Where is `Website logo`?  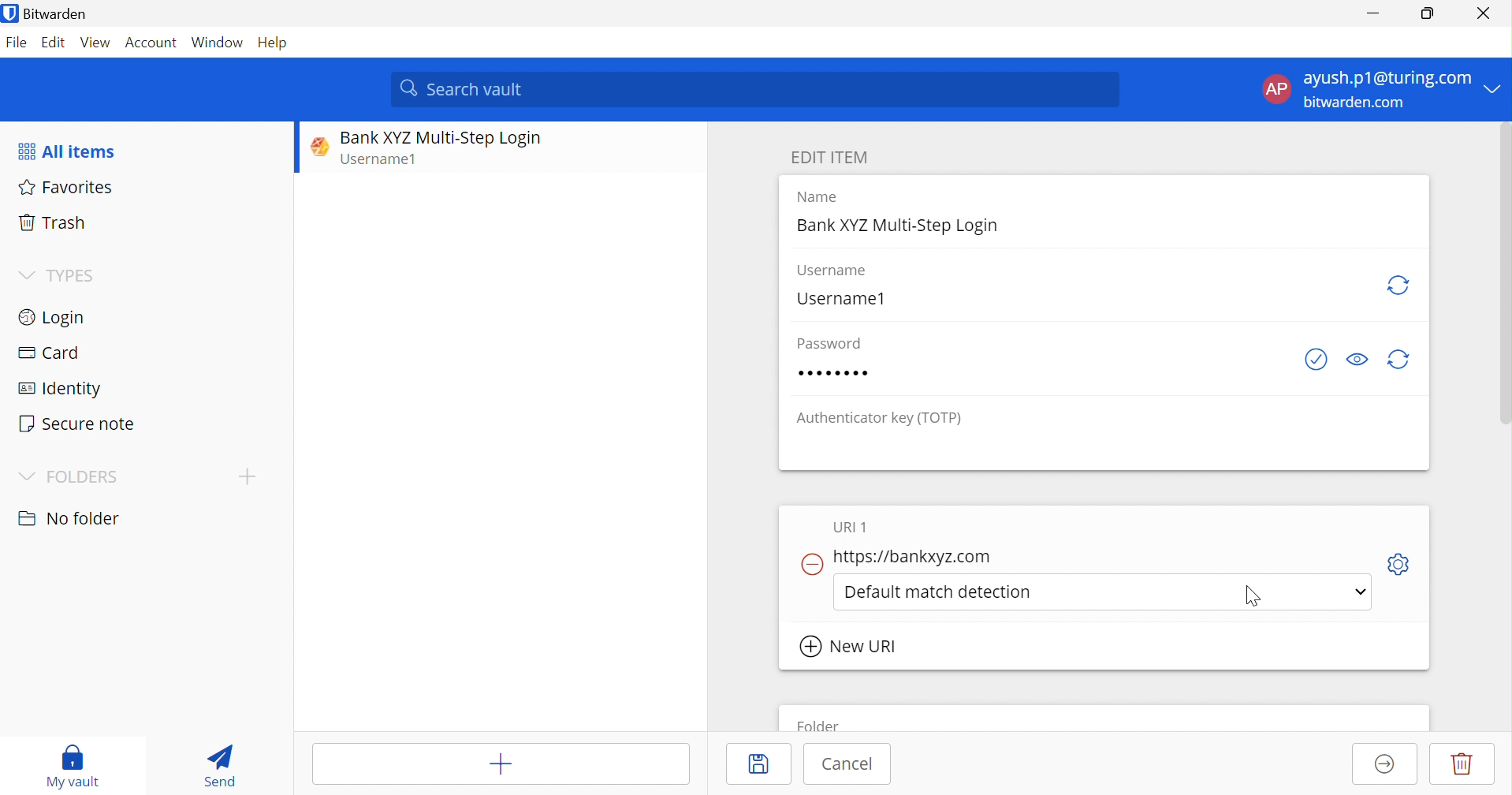
Website logo is located at coordinates (315, 146).